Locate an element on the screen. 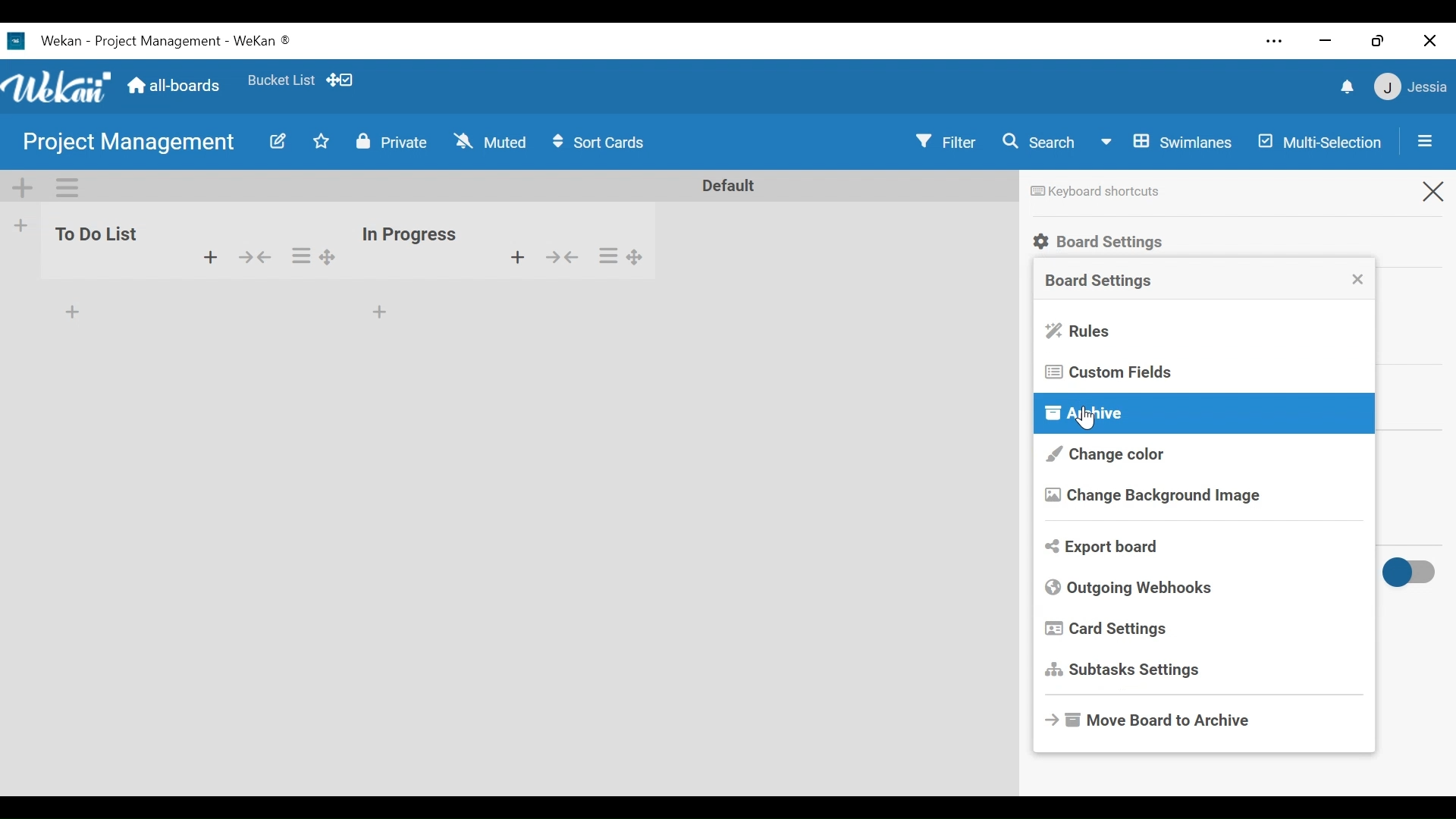 Image resolution: width=1456 pixels, height=819 pixels. Edit is located at coordinates (277, 143).